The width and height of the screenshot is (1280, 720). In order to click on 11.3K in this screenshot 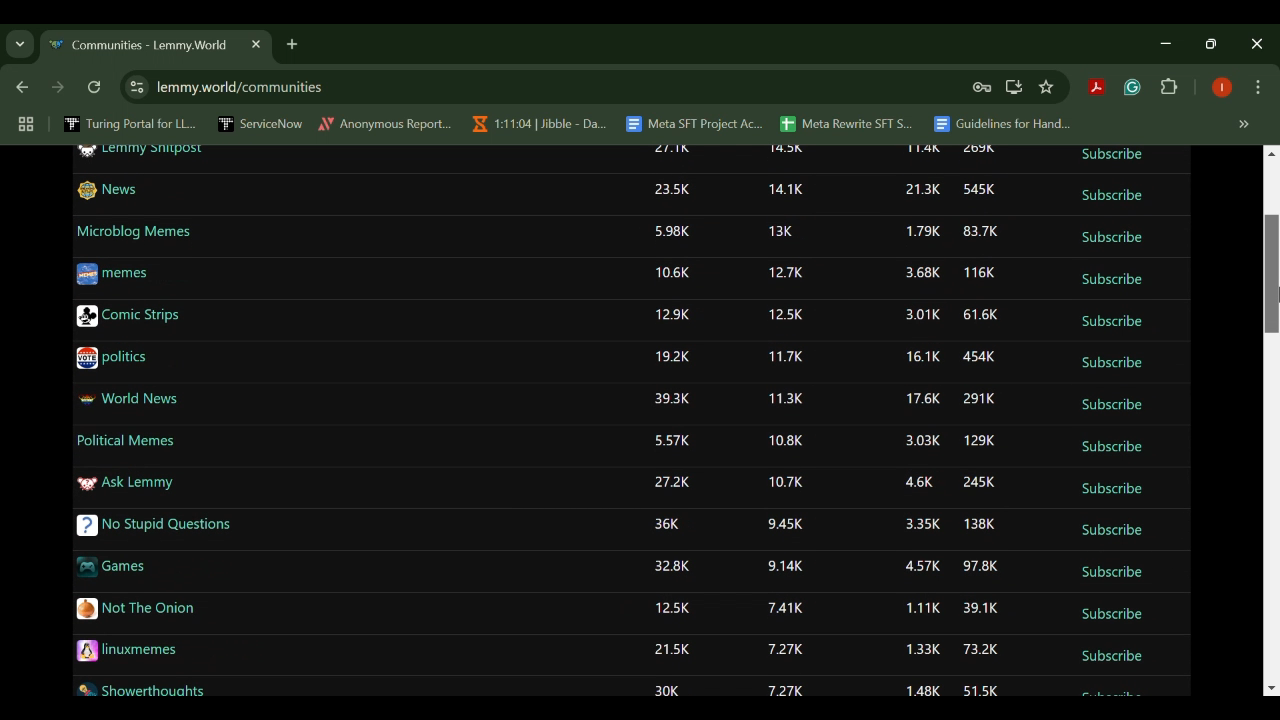, I will do `click(786, 399)`.